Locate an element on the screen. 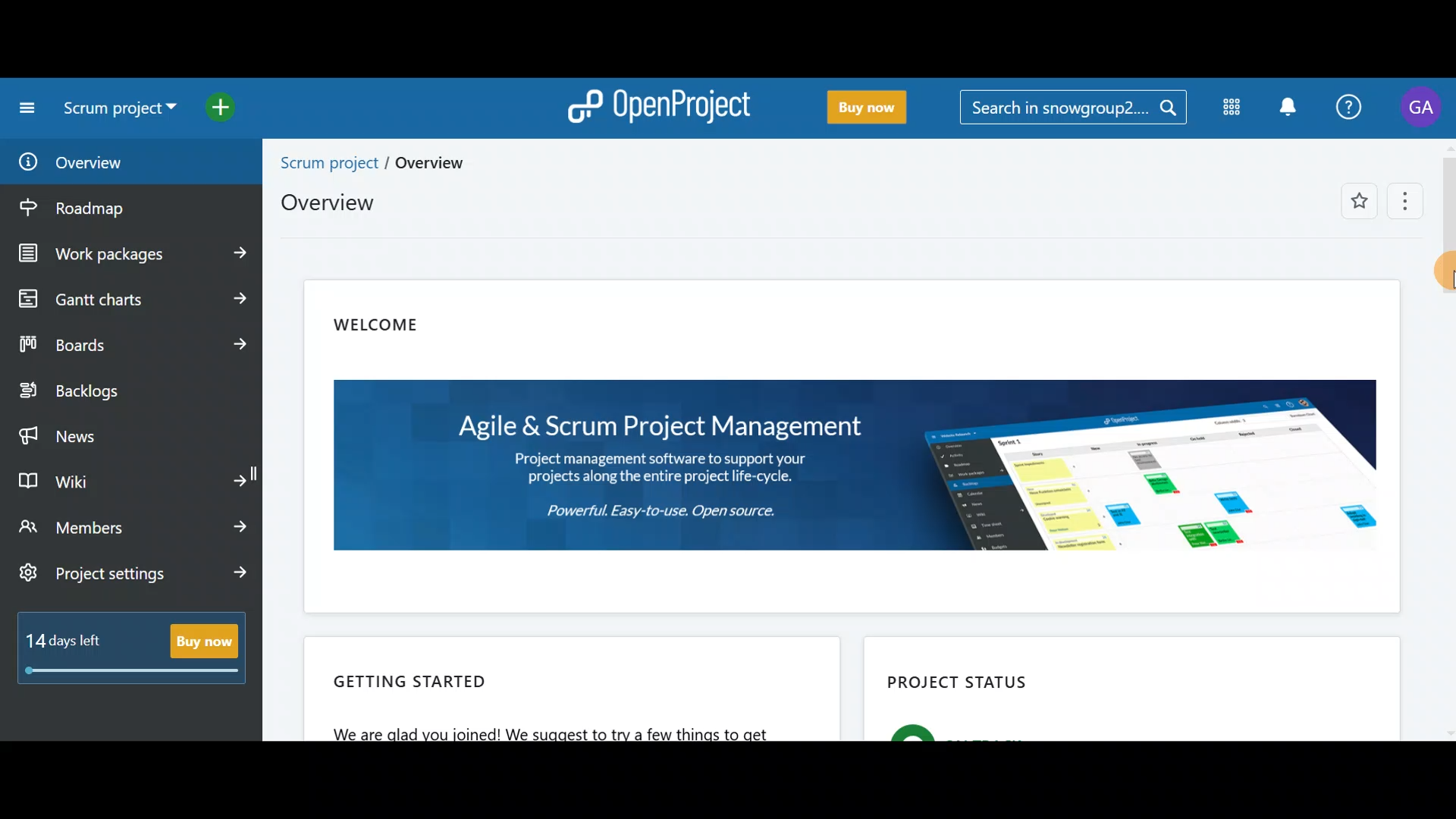 This screenshot has width=1456, height=819. Collapse project menu is located at coordinates (24, 108).